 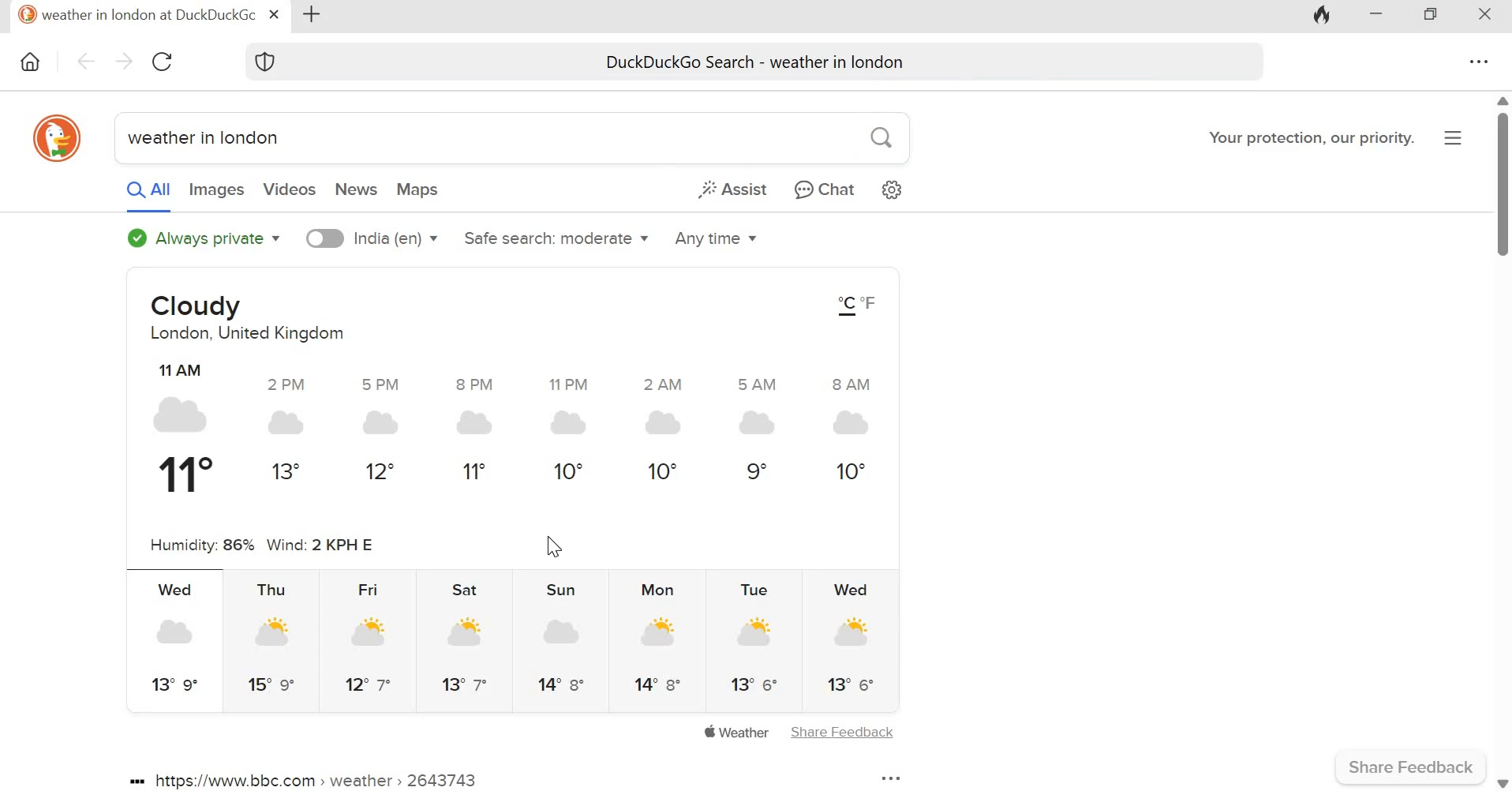 I want to click on Indicates partly sunny, so click(x=368, y=632).